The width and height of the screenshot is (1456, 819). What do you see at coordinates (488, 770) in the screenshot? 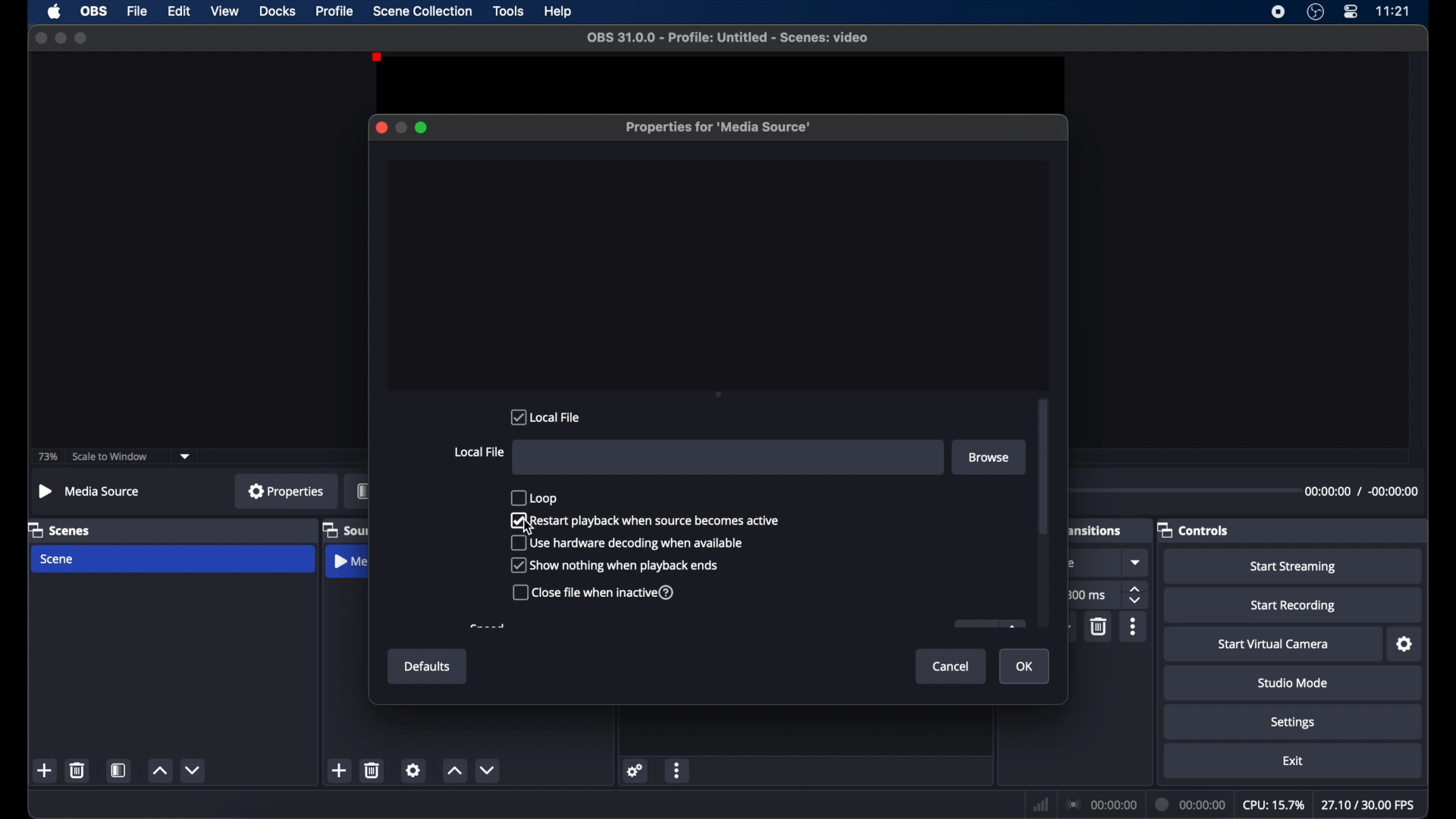
I see `dropdown` at bounding box center [488, 770].